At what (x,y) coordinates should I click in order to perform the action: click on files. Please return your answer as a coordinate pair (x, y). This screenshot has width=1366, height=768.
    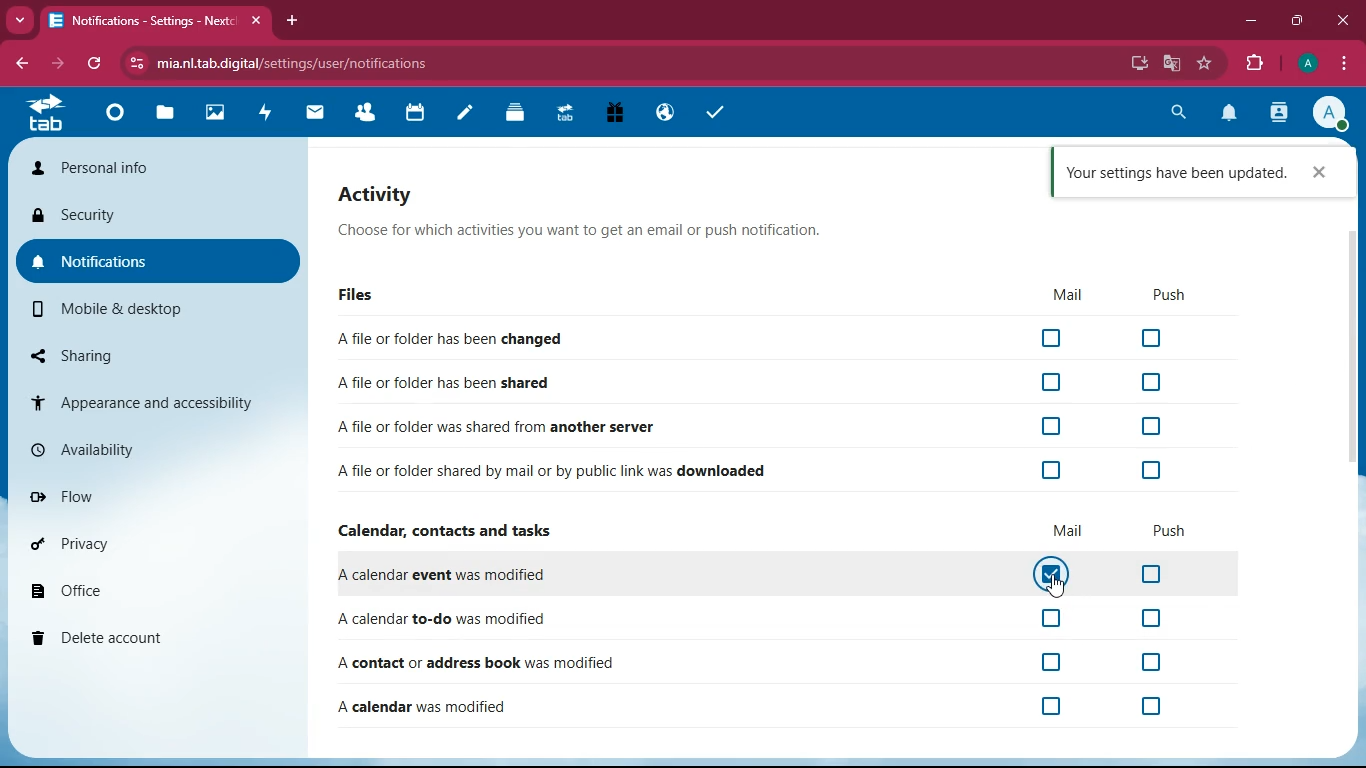
    Looking at the image, I should click on (167, 114).